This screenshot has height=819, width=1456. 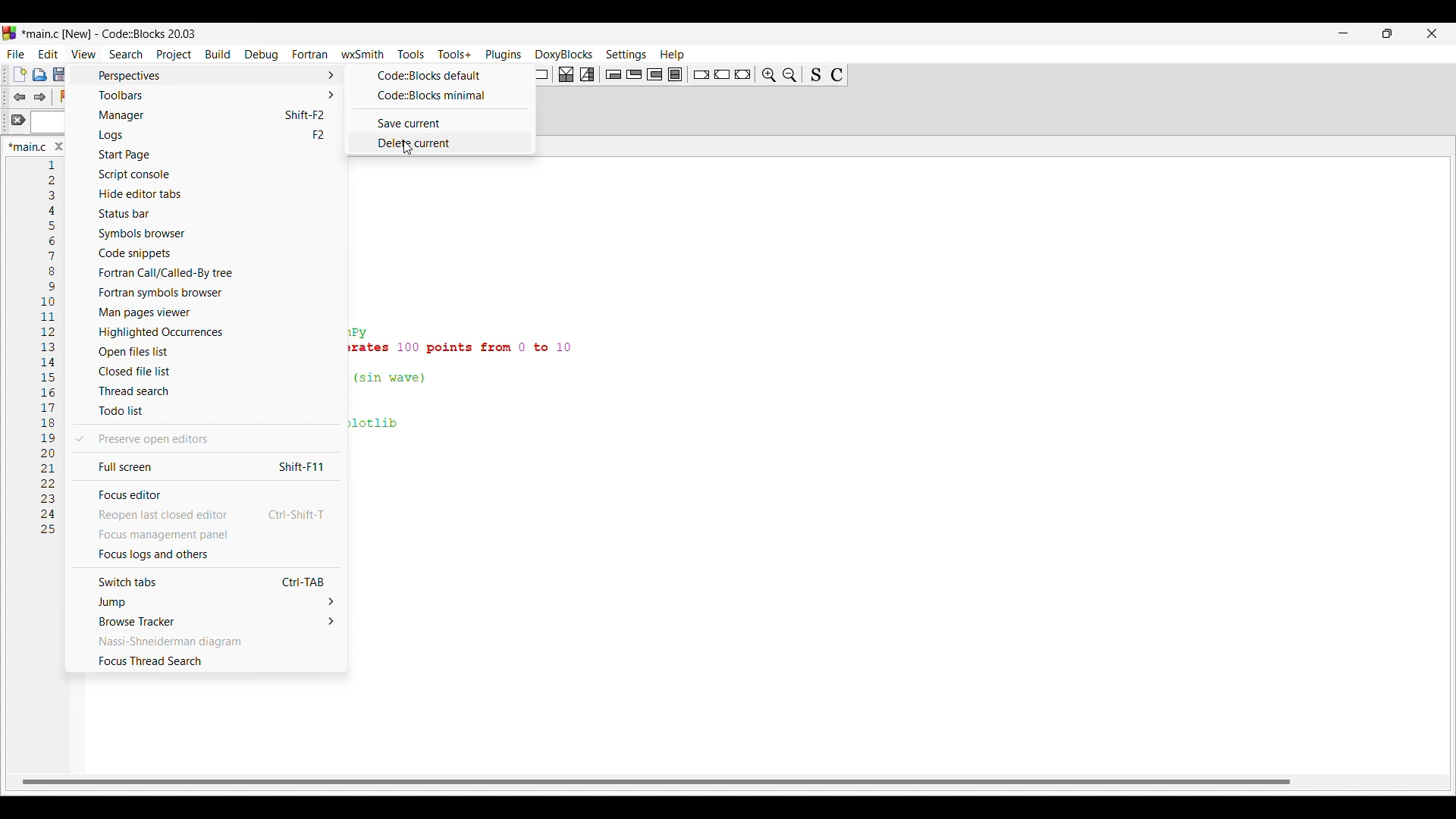 What do you see at coordinates (613, 74) in the screenshot?
I see `Entry condition loop` at bounding box center [613, 74].